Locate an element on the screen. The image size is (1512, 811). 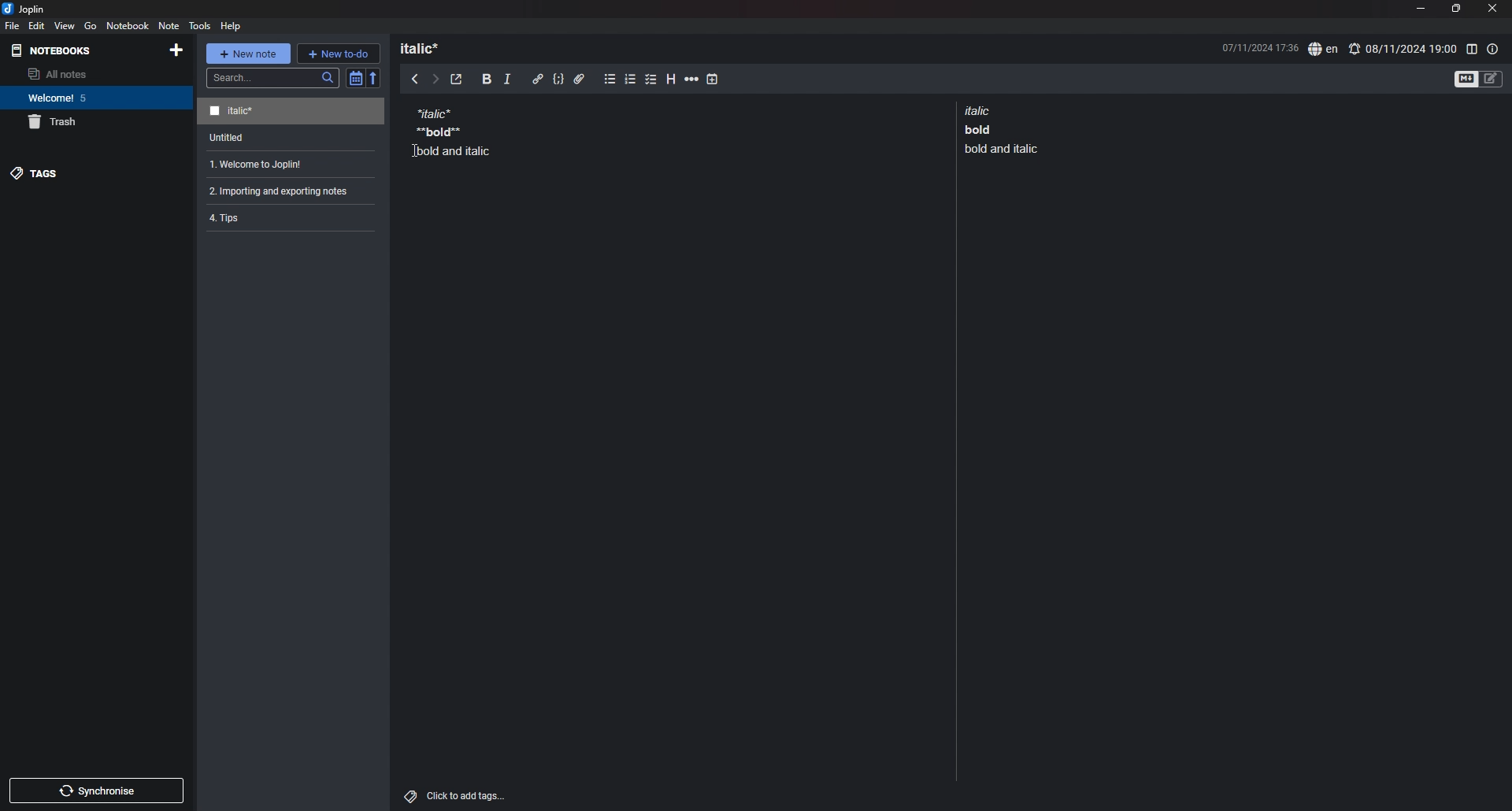
new todo is located at coordinates (338, 53).